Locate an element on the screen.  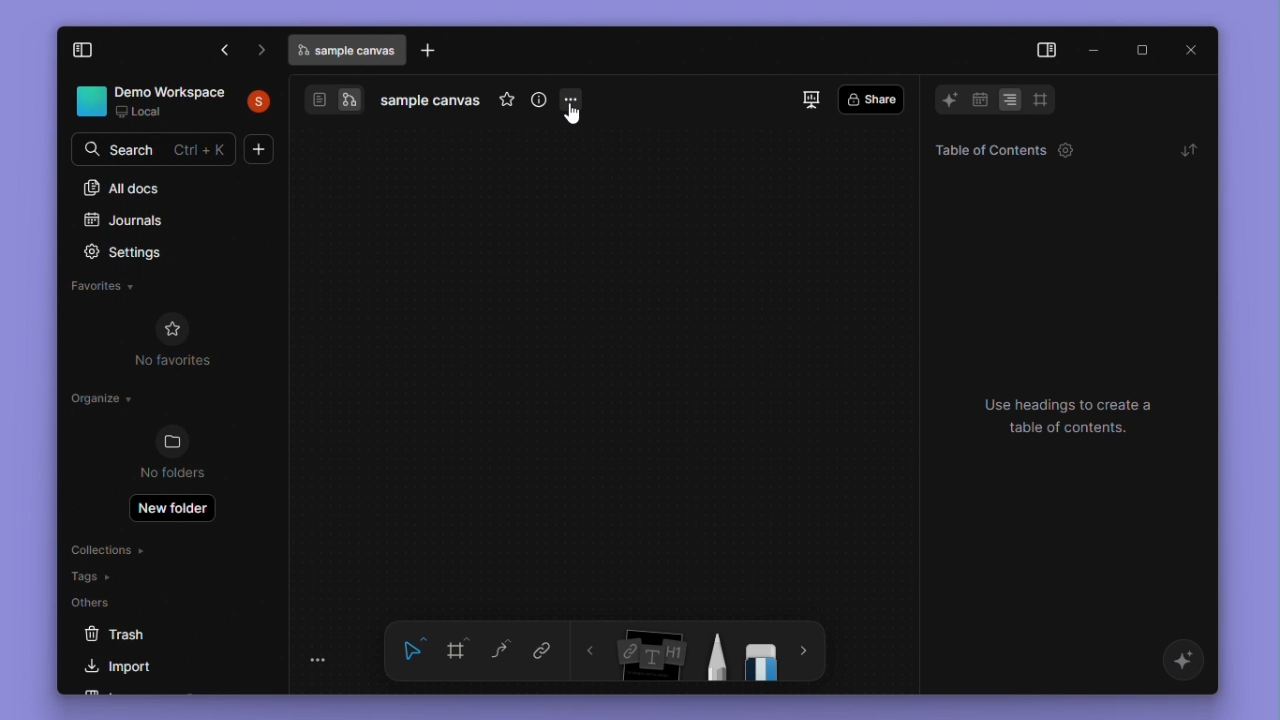
pen is located at coordinates (714, 657).